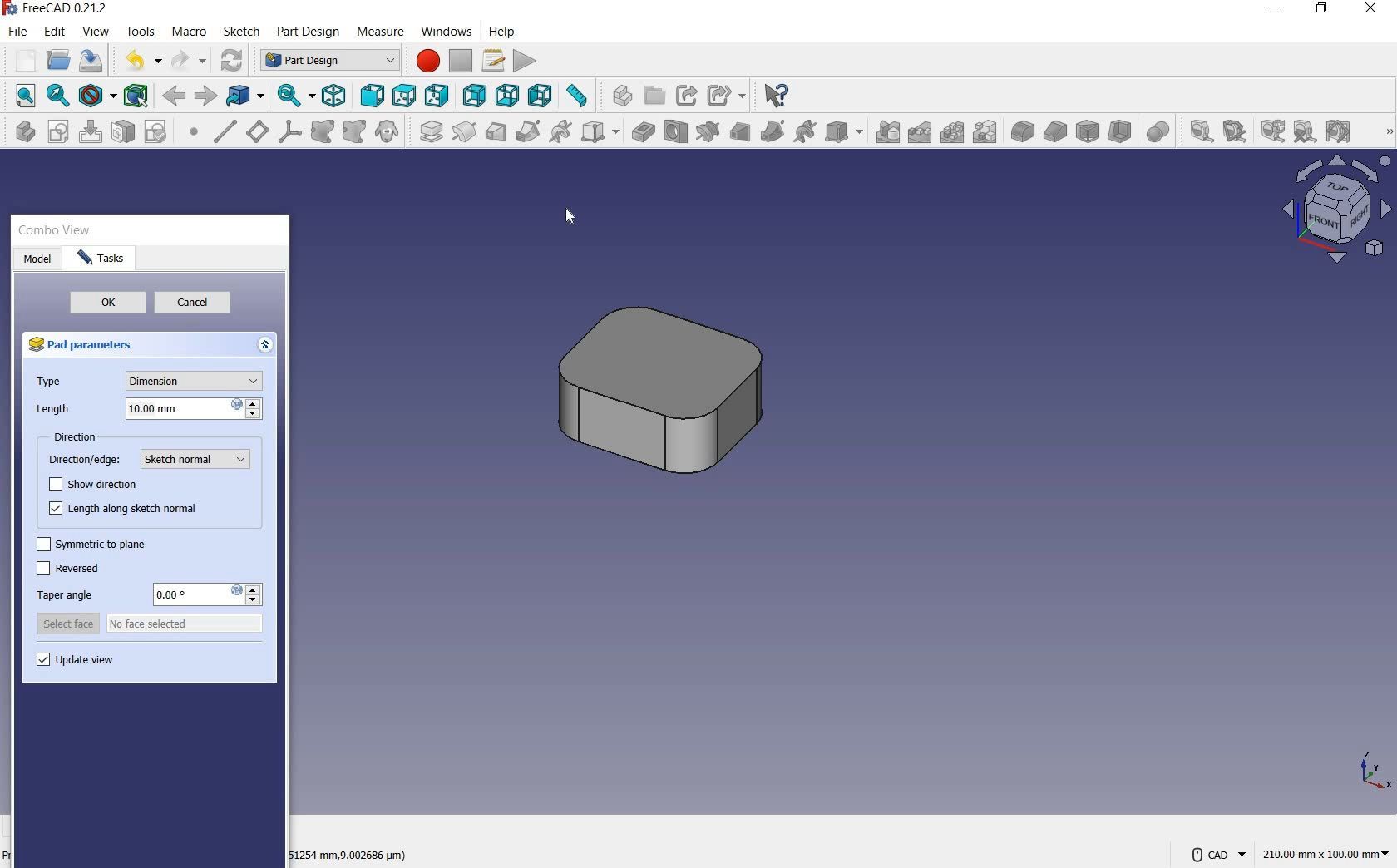 The image size is (1397, 868). Describe the element at coordinates (91, 347) in the screenshot. I see `pad parameters` at that location.